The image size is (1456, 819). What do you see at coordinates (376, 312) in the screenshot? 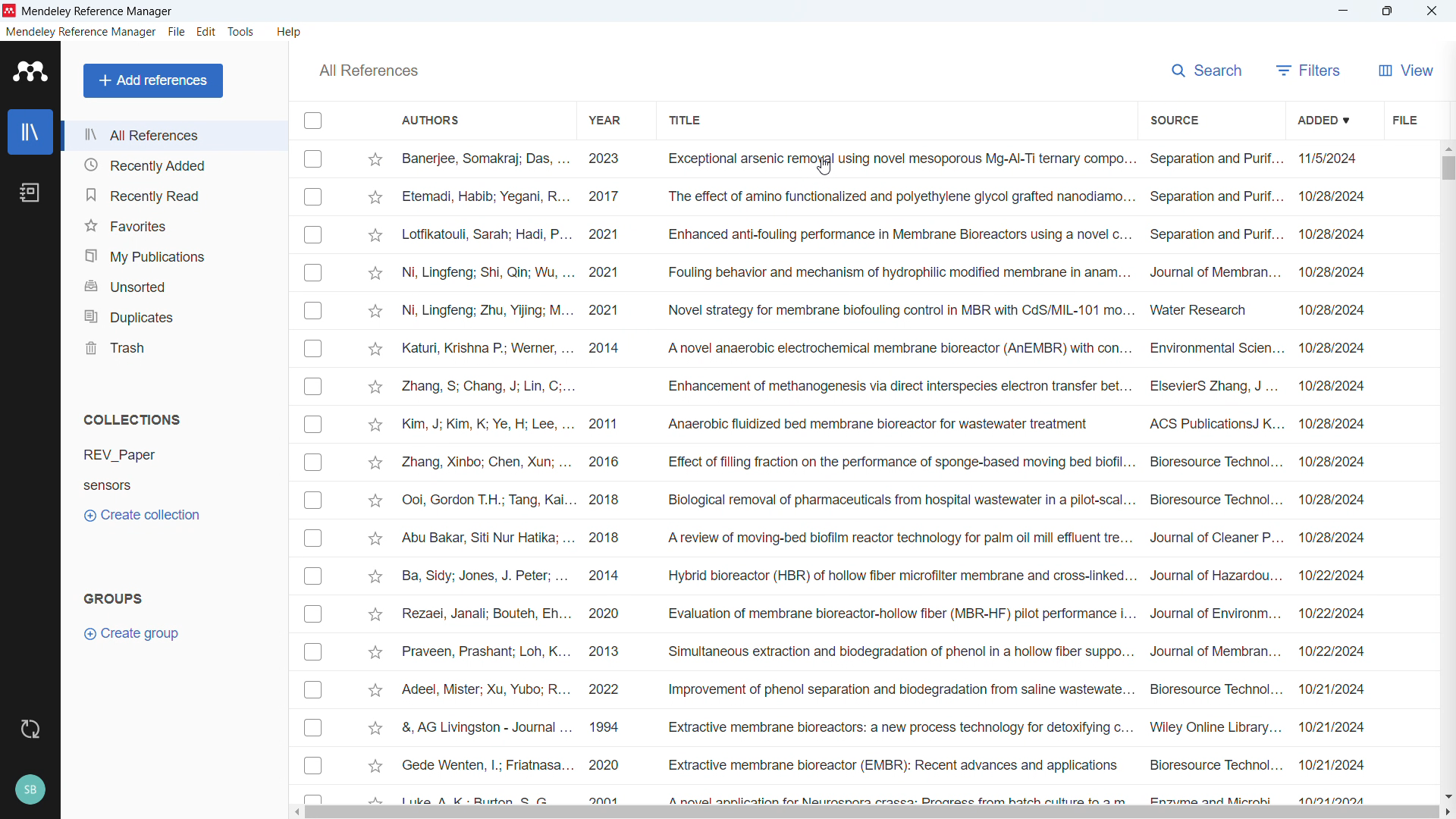
I see `click to starmark individual entries` at bounding box center [376, 312].